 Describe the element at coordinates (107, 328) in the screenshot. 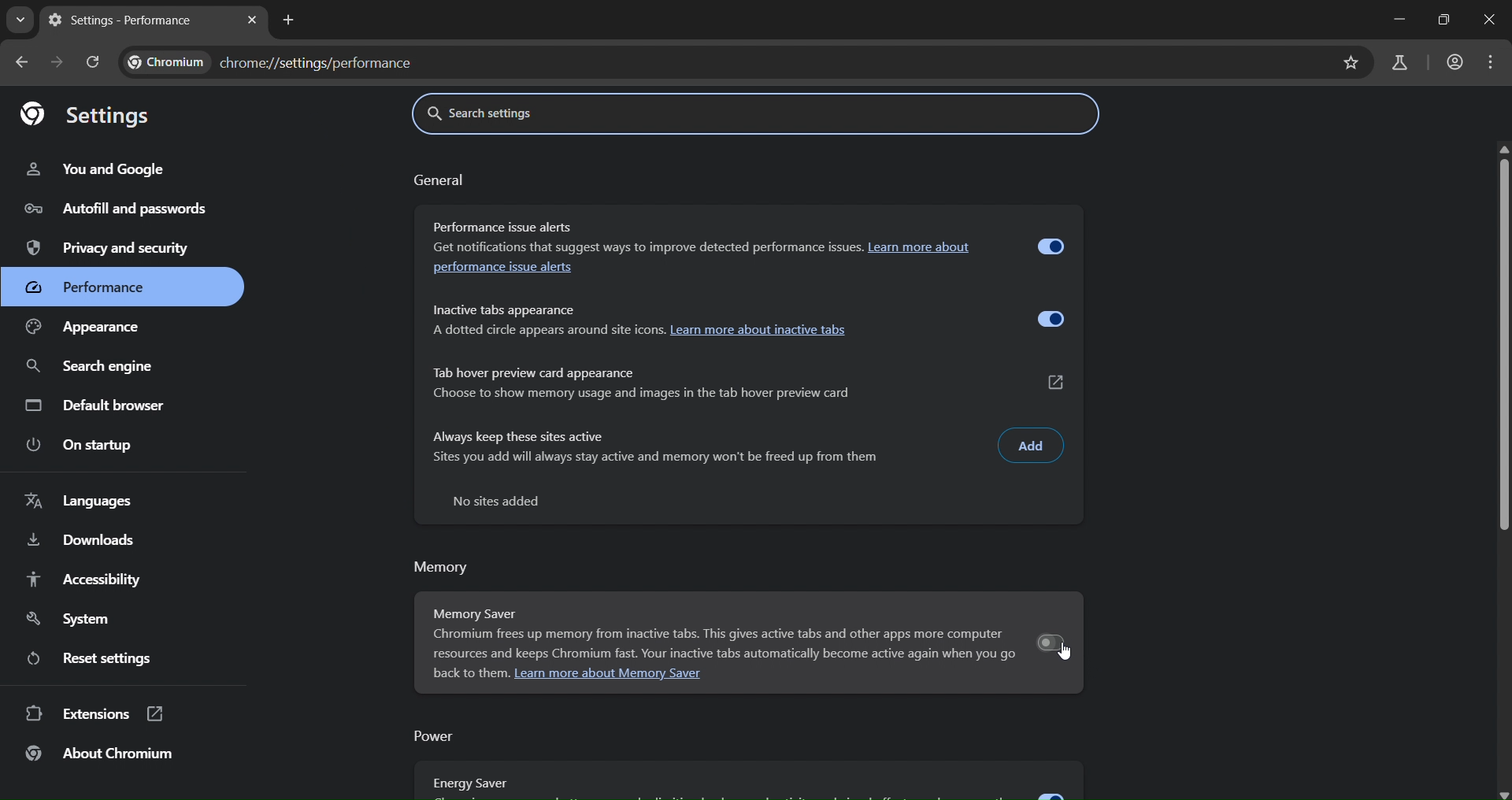

I see `Appearance` at that location.